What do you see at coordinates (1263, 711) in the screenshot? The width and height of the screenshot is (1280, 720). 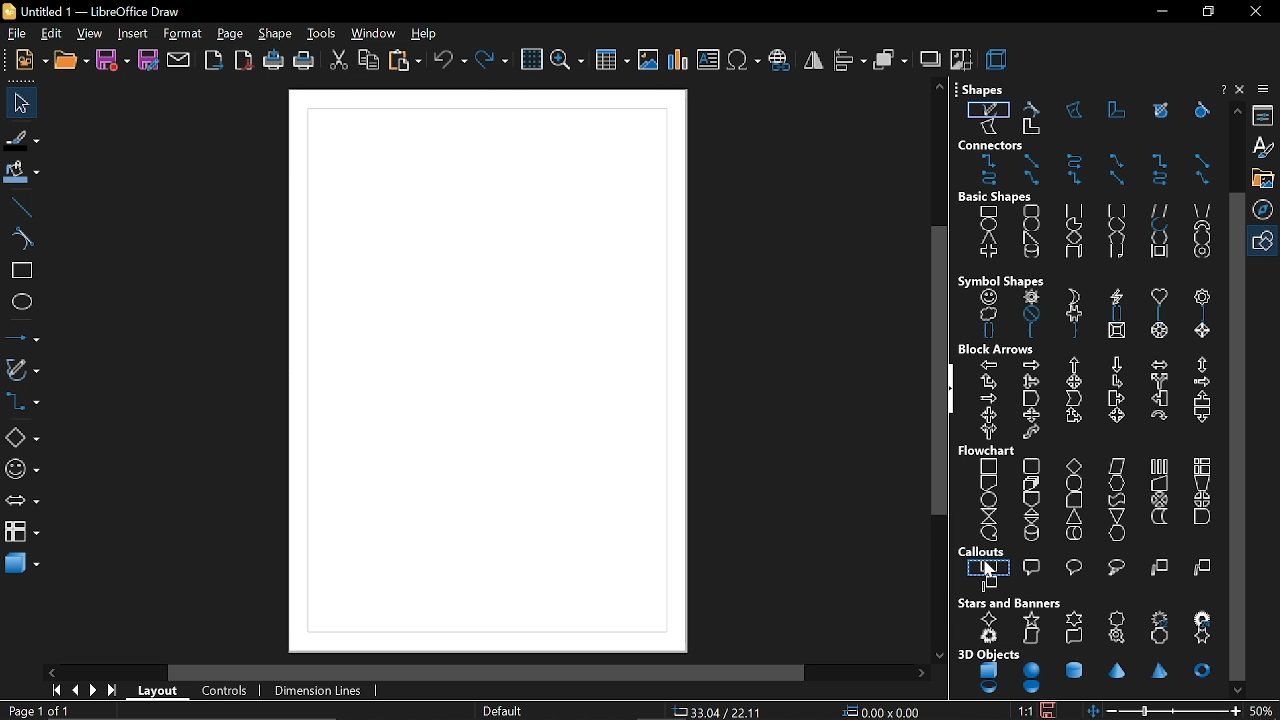 I see `current zoom` at bounding box center [1263, 711].